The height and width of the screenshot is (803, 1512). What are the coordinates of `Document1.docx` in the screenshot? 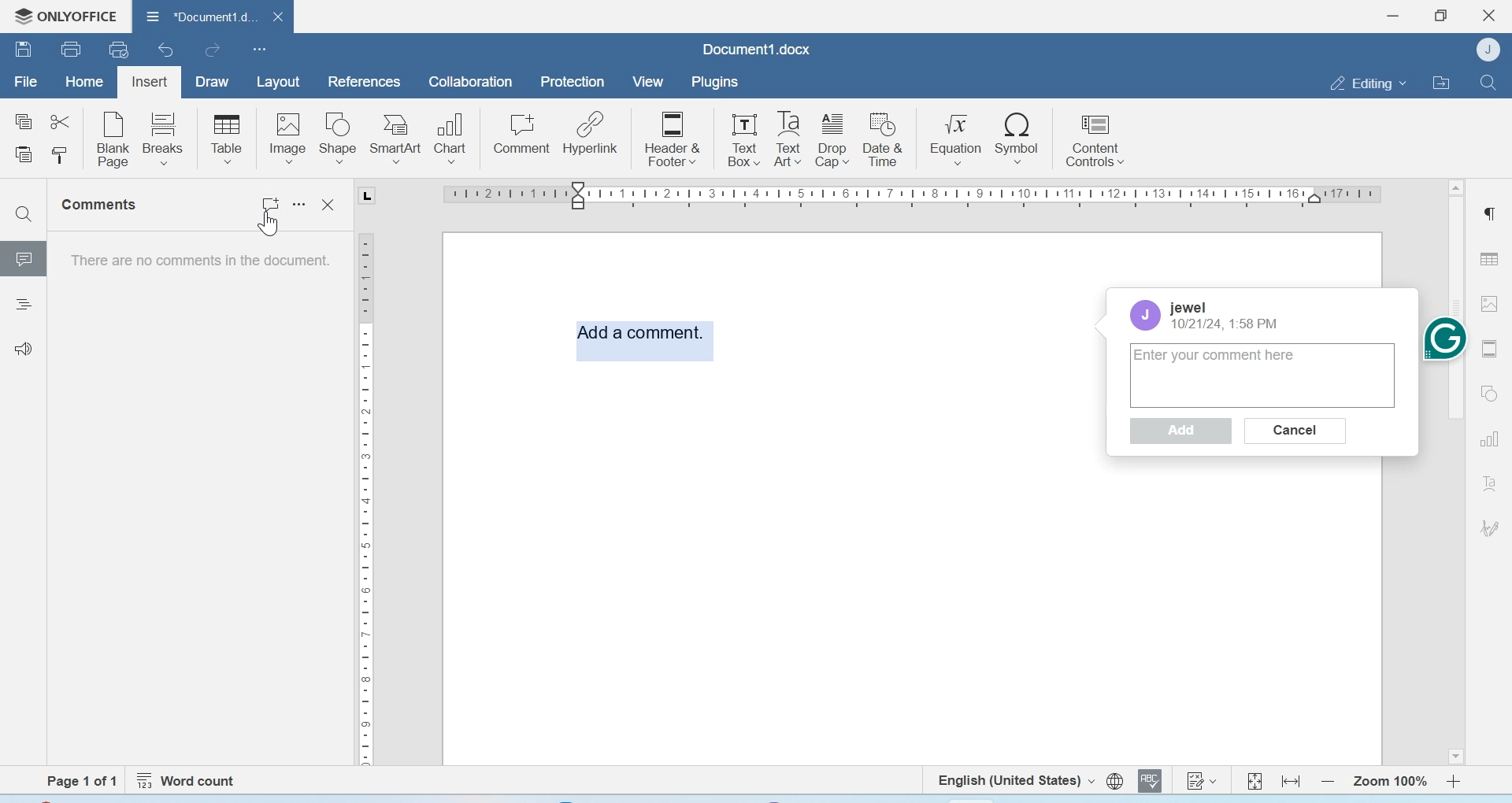 It's located at (196, 14).